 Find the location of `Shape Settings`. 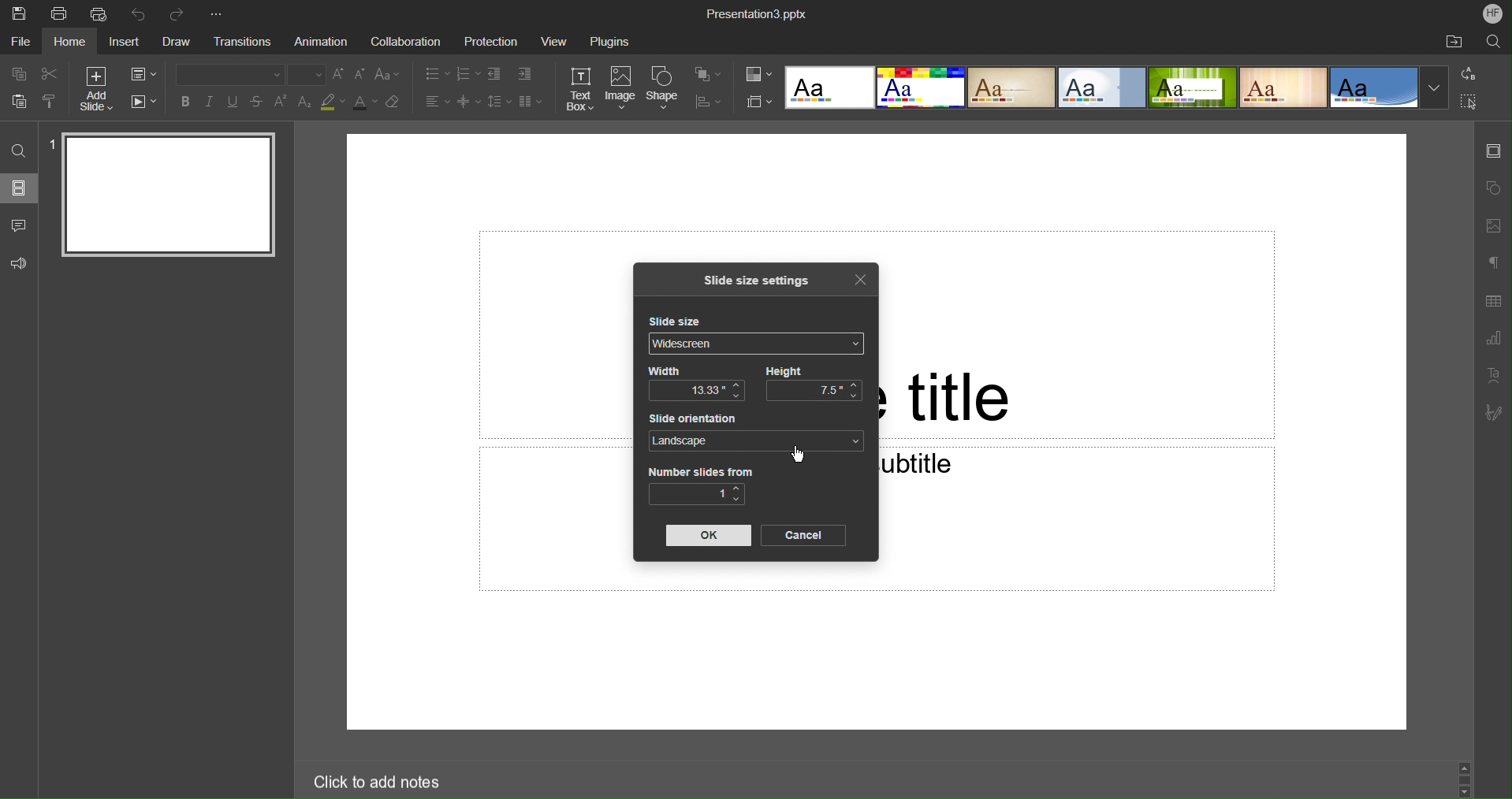

Shape Settings is located at coordinates (1493, 187).